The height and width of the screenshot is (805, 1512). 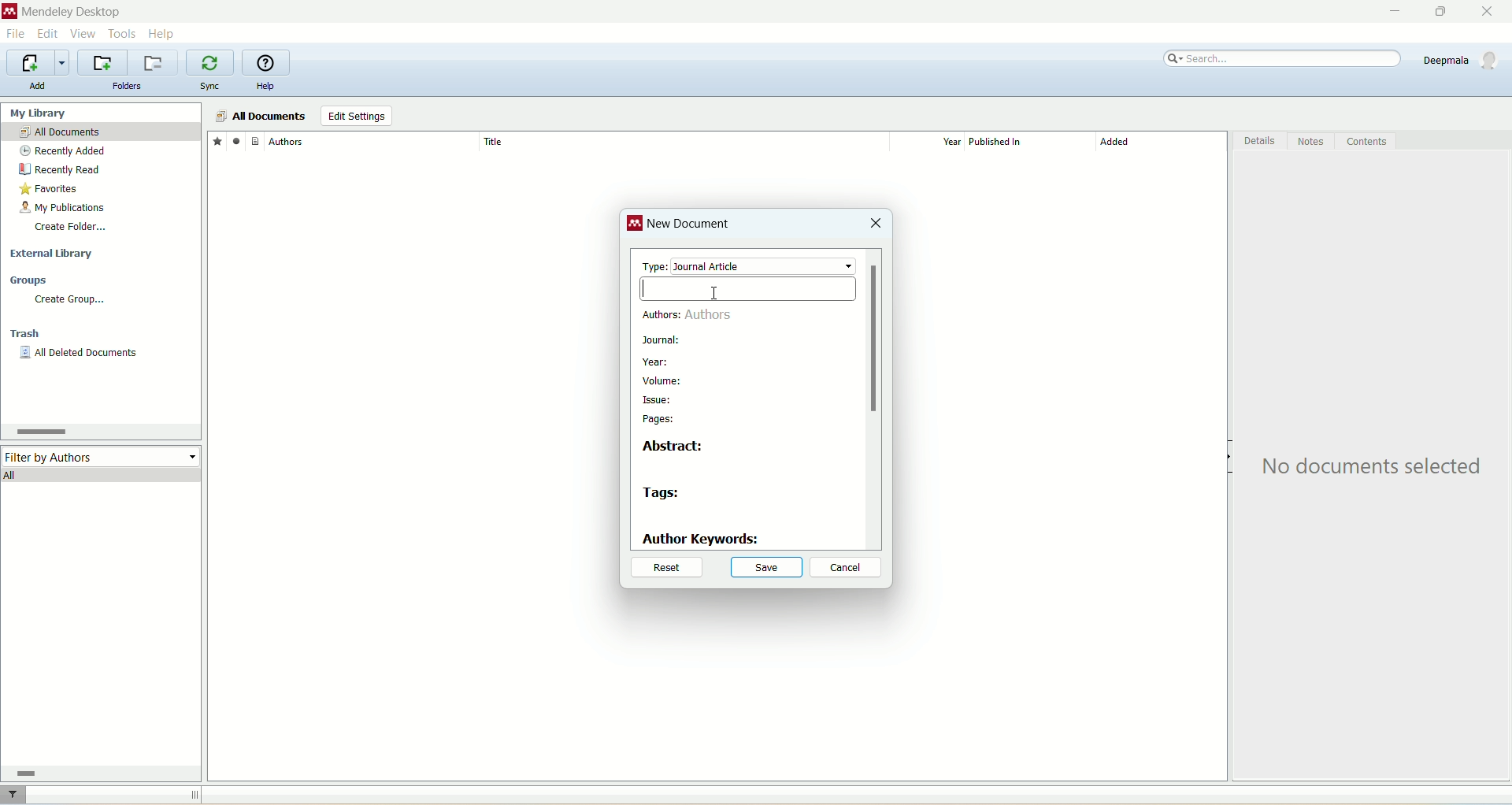 What do you see at coordinates (265, 87) in the screenshot?
I see `help` at bounding box center [265, 87].